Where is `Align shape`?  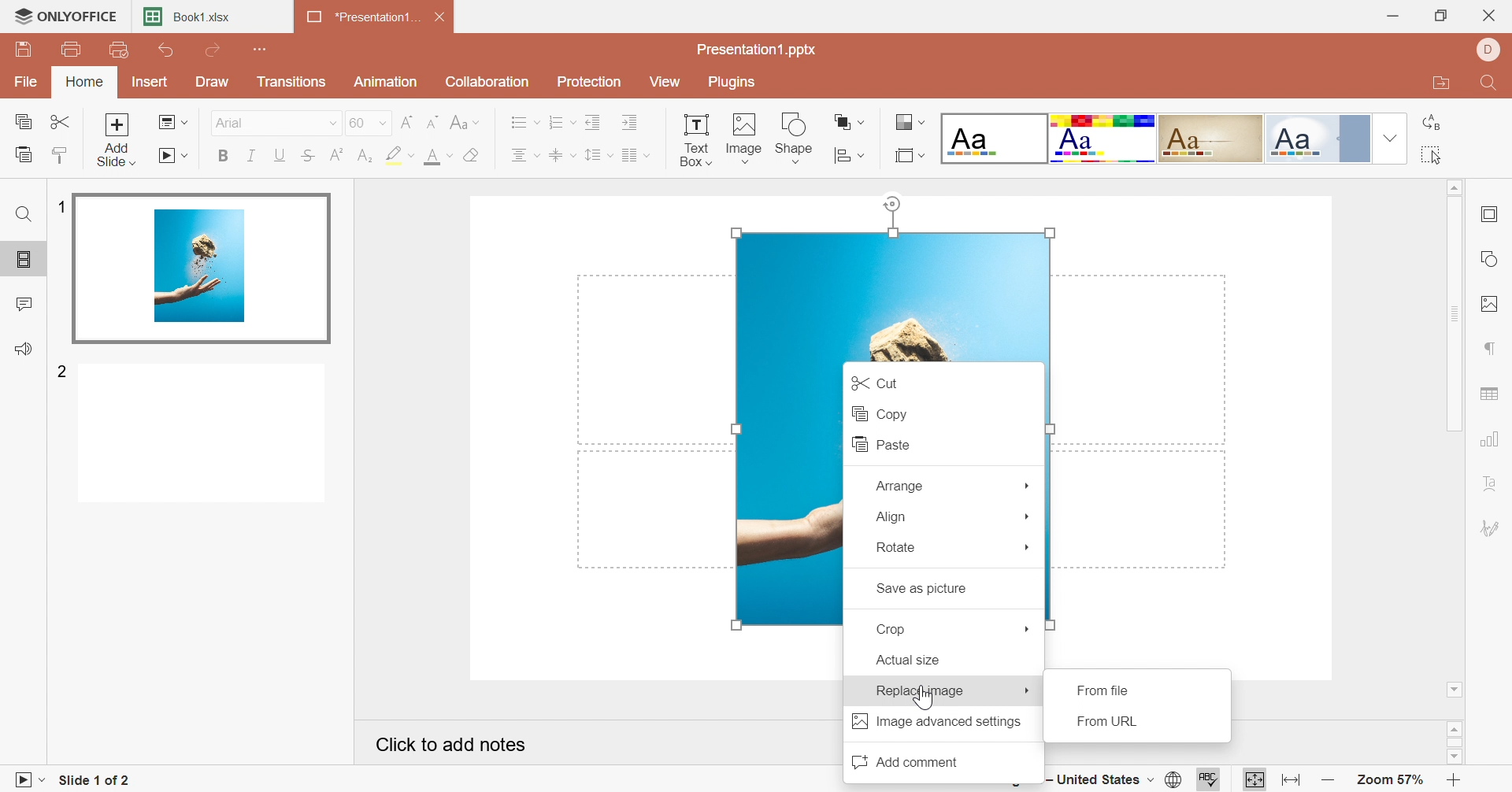
Align shape is located at coordinates (850, 121).